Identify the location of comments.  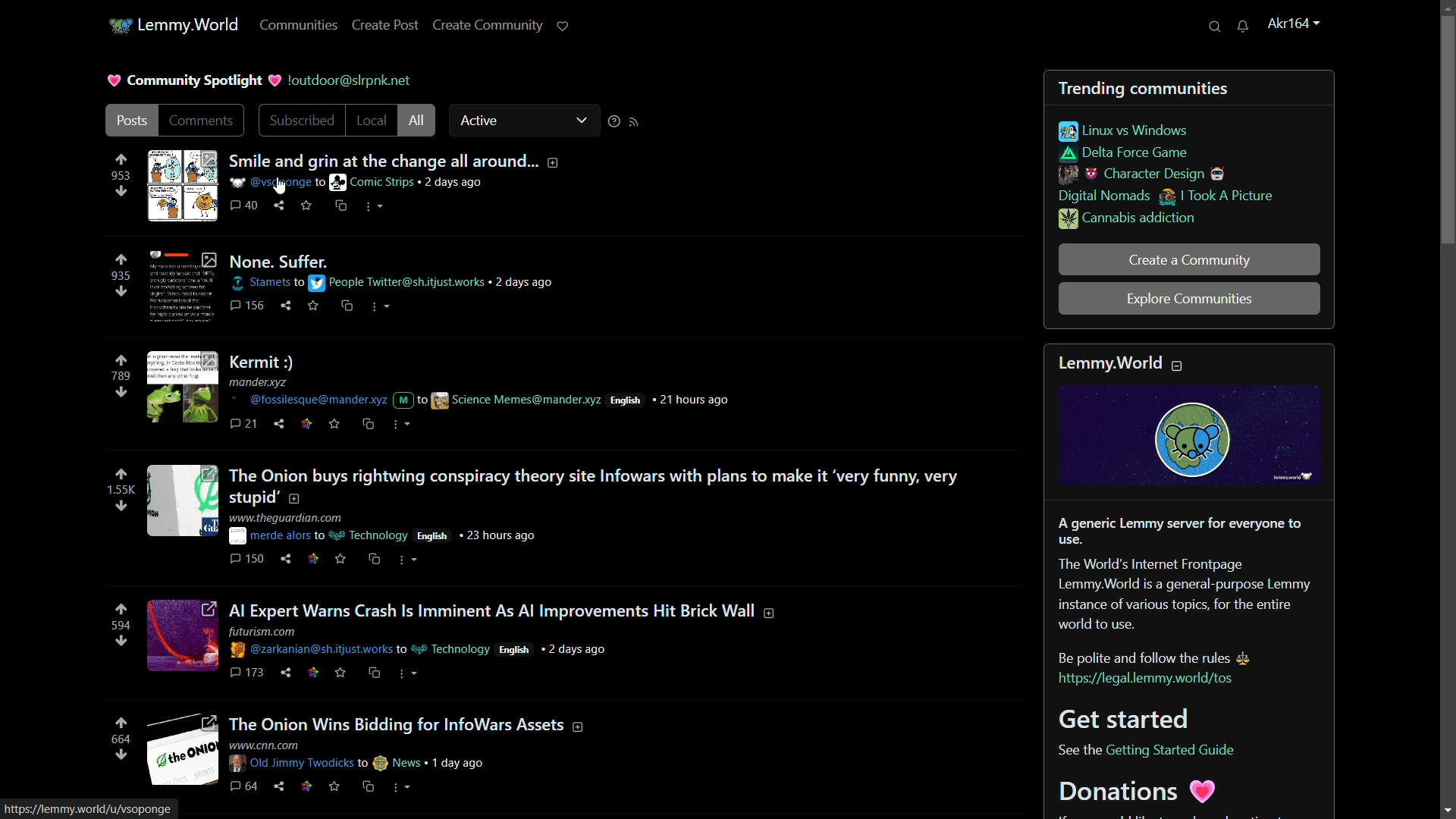
(245, 206).